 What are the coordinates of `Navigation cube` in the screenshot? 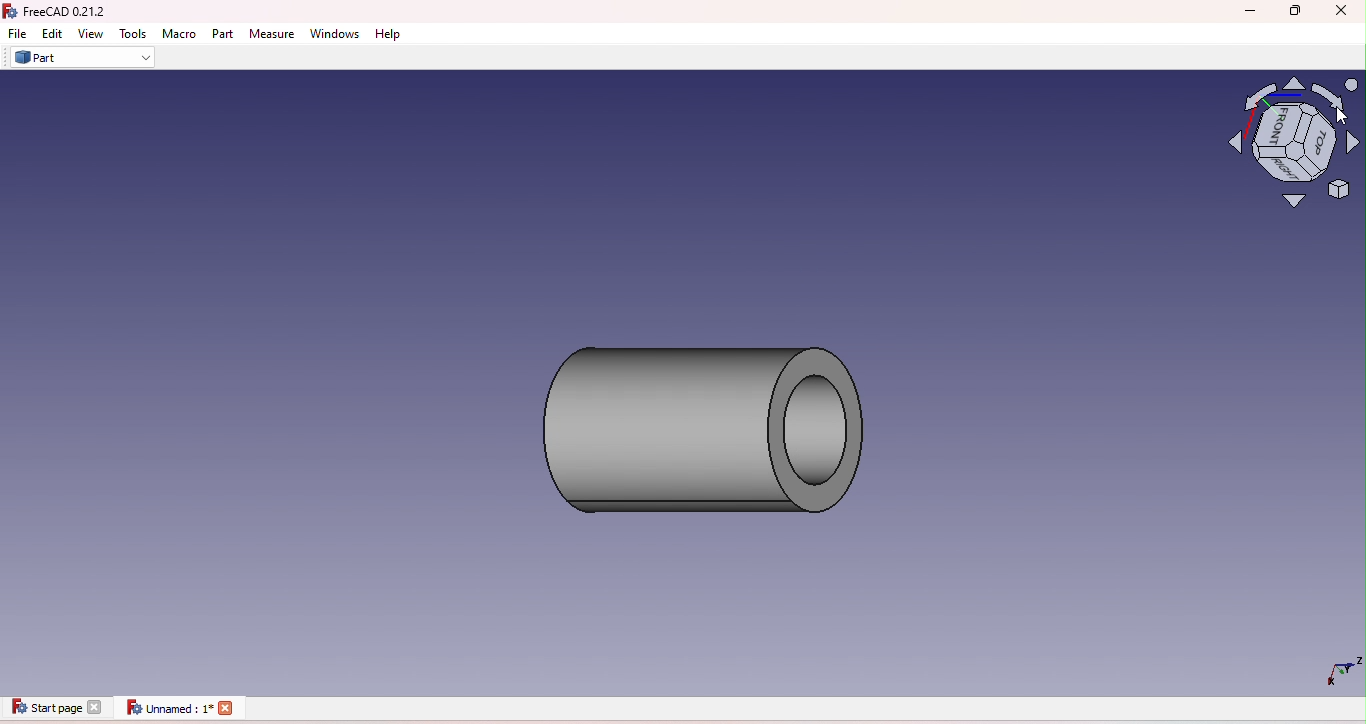 It's located at (1293, 146).